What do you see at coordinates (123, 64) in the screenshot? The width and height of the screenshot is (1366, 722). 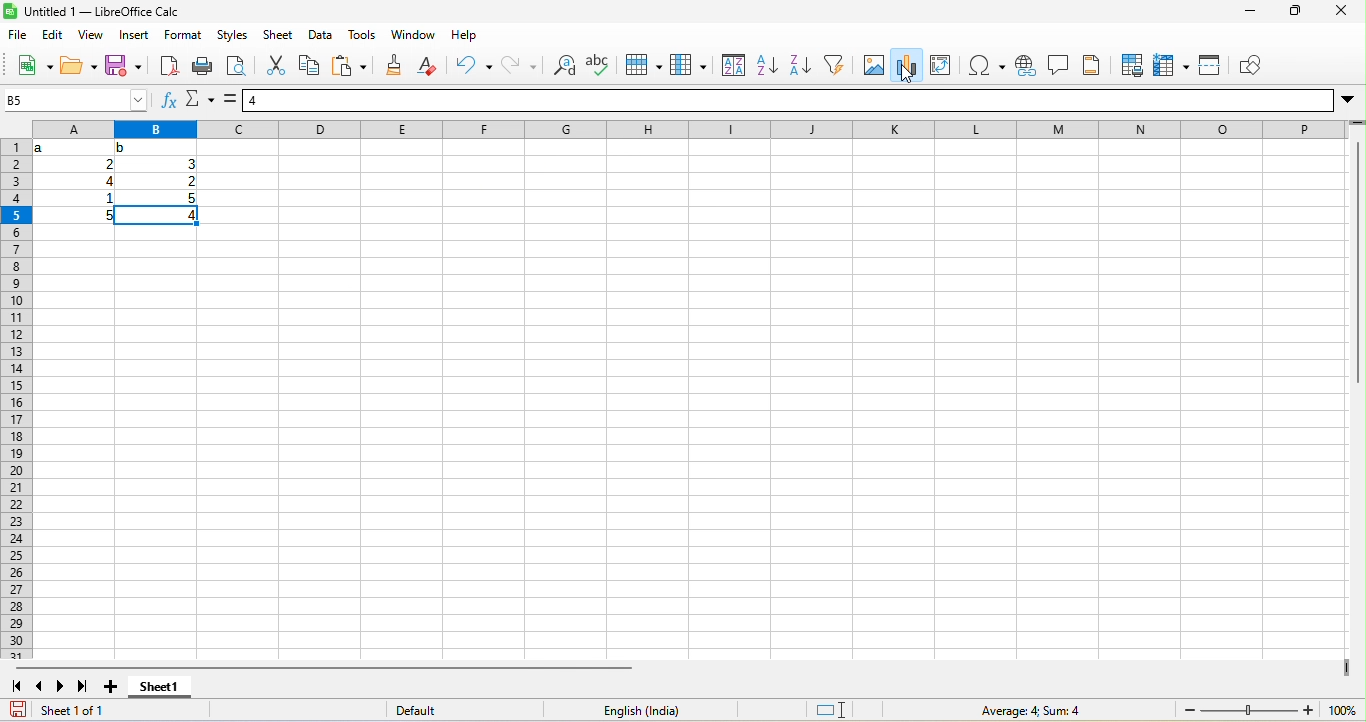 I see `save` at bounding box center [123, 64].